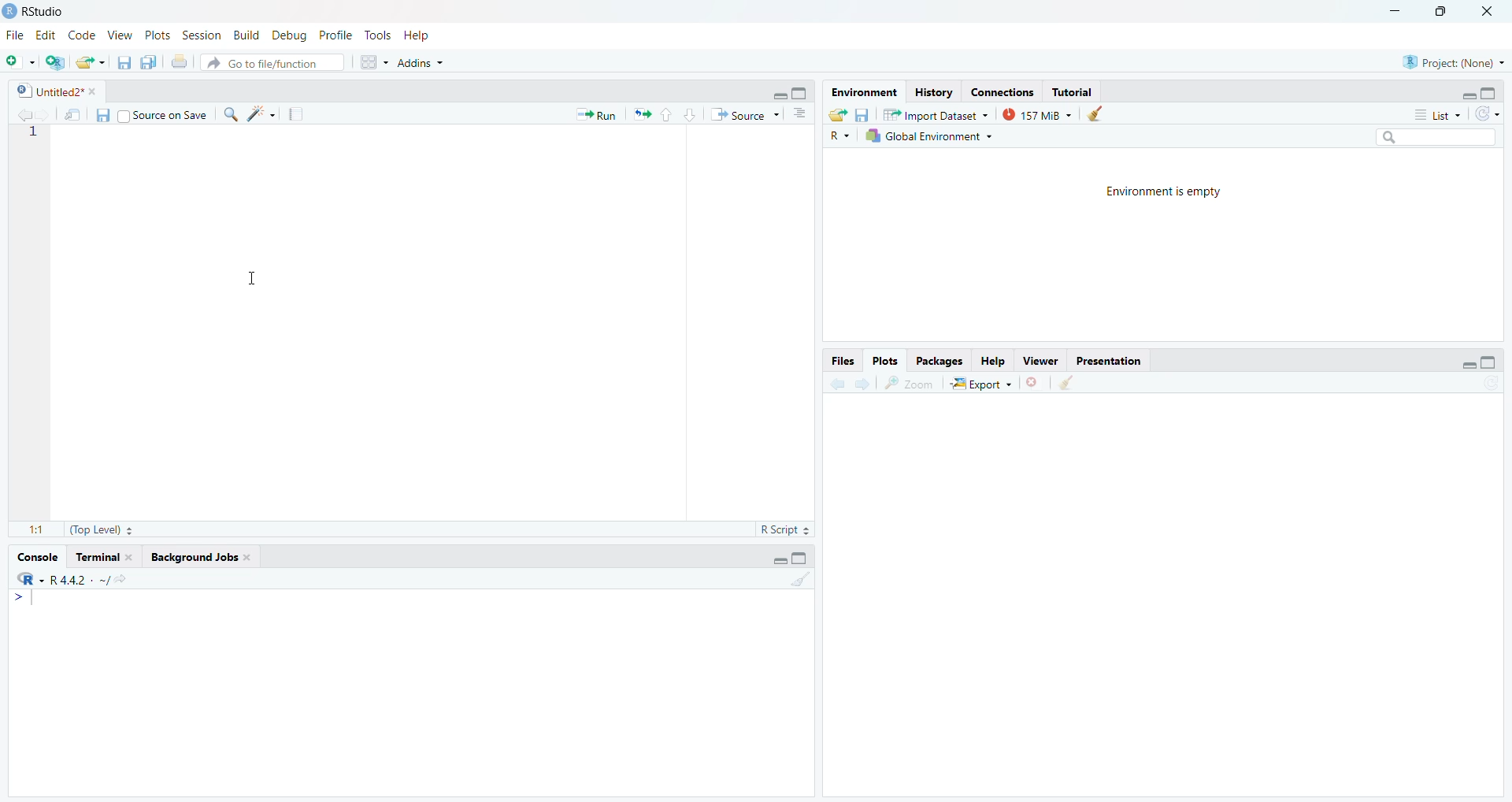  Describe the element at coordinates (233, 114) in the screenshot. I see `find/replace` at that location.